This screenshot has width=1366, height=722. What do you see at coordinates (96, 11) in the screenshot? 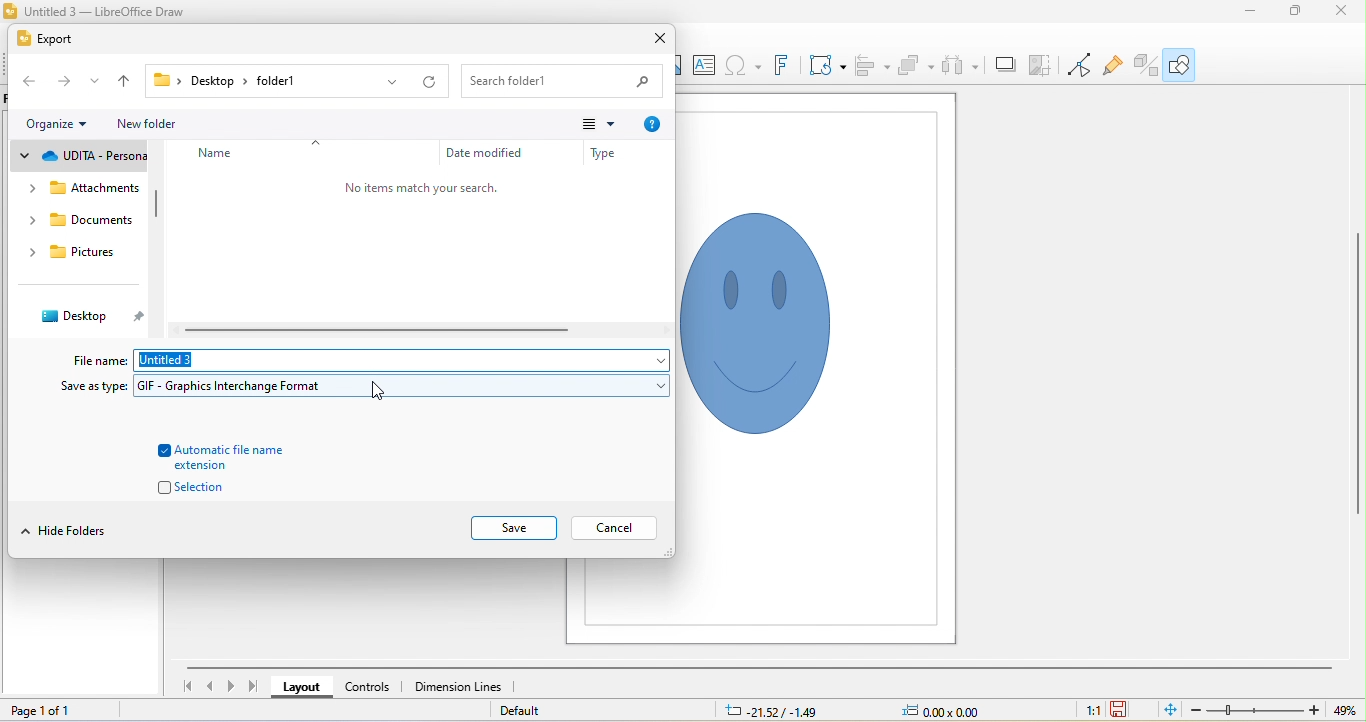
I see `title` at bounding box center [96, 11].